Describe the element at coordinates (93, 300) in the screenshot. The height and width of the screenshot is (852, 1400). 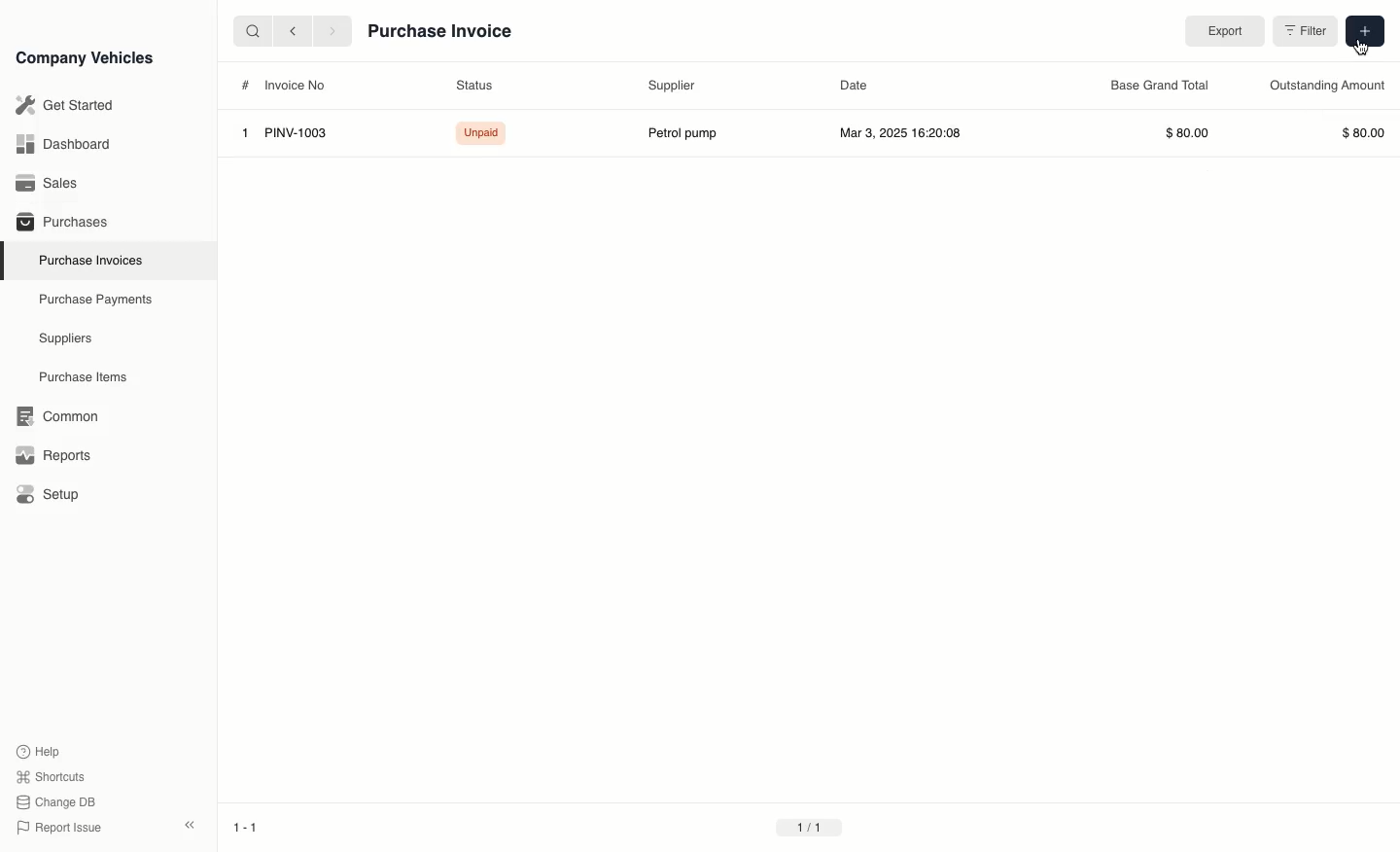
I see `Purchase Payments` at that location.